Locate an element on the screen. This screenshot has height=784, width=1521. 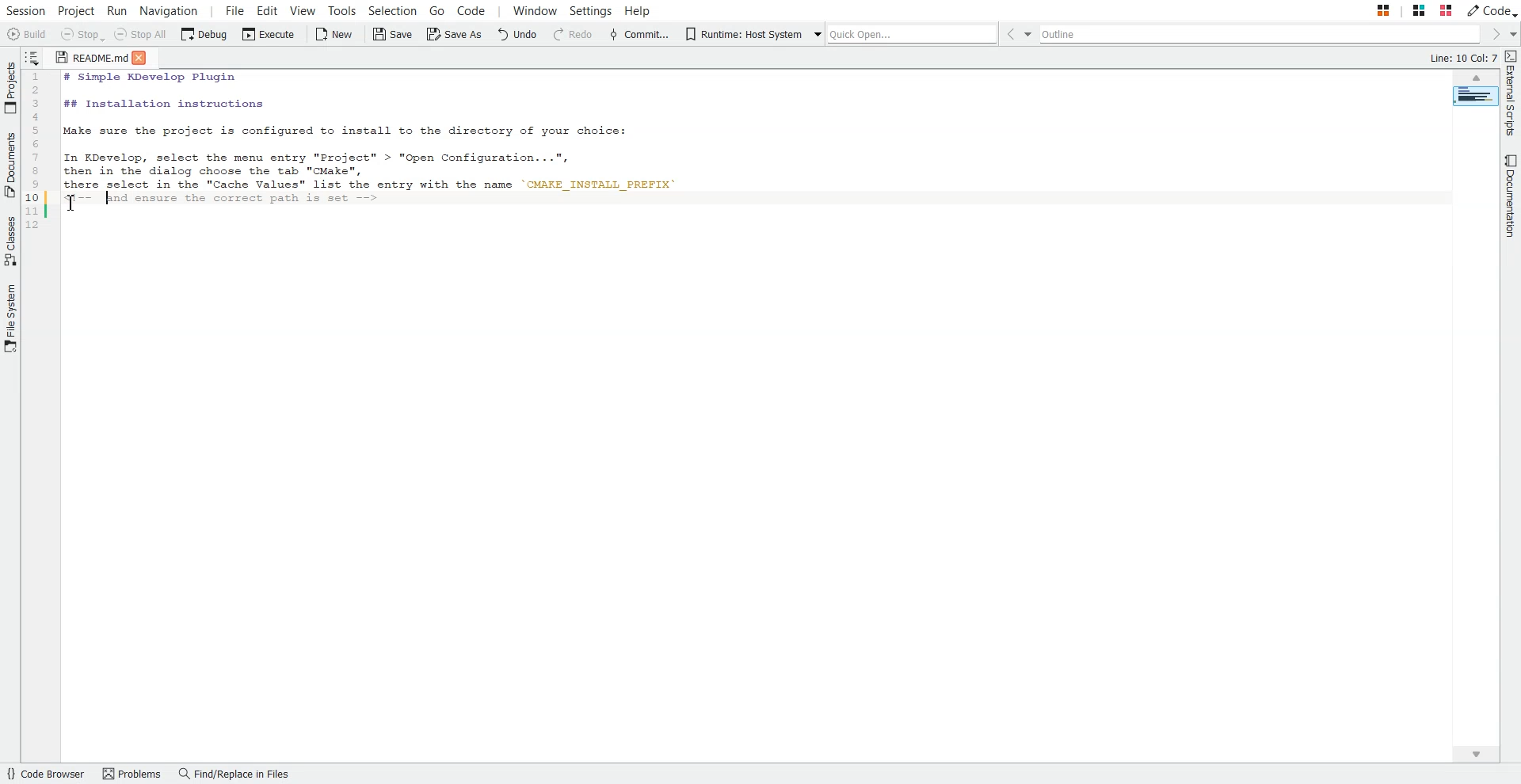
Build is located at coordinates (25, 34).